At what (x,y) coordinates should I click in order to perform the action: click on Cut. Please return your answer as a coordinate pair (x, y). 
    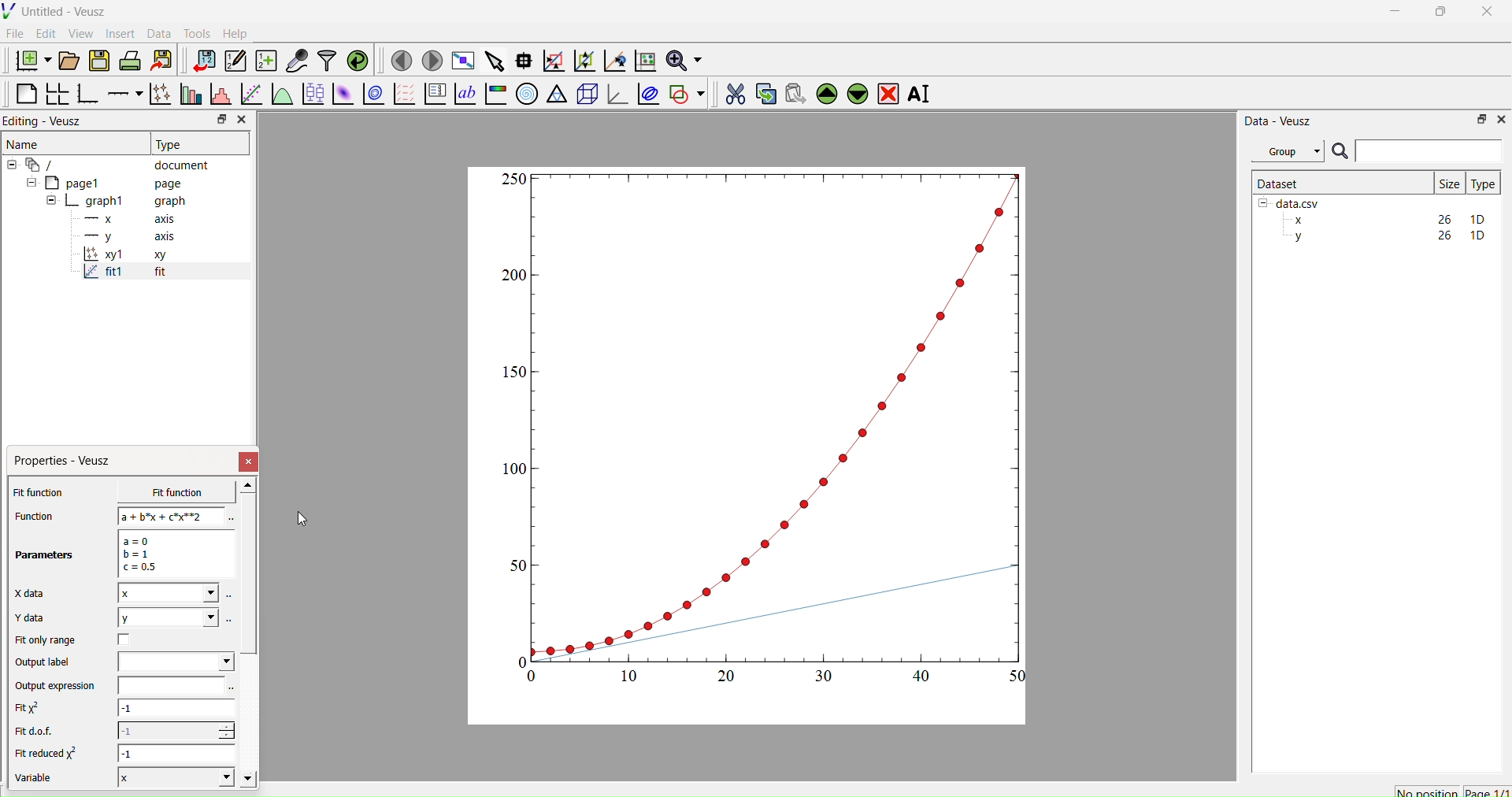
    Looking at the image, I should click on (730, 91).